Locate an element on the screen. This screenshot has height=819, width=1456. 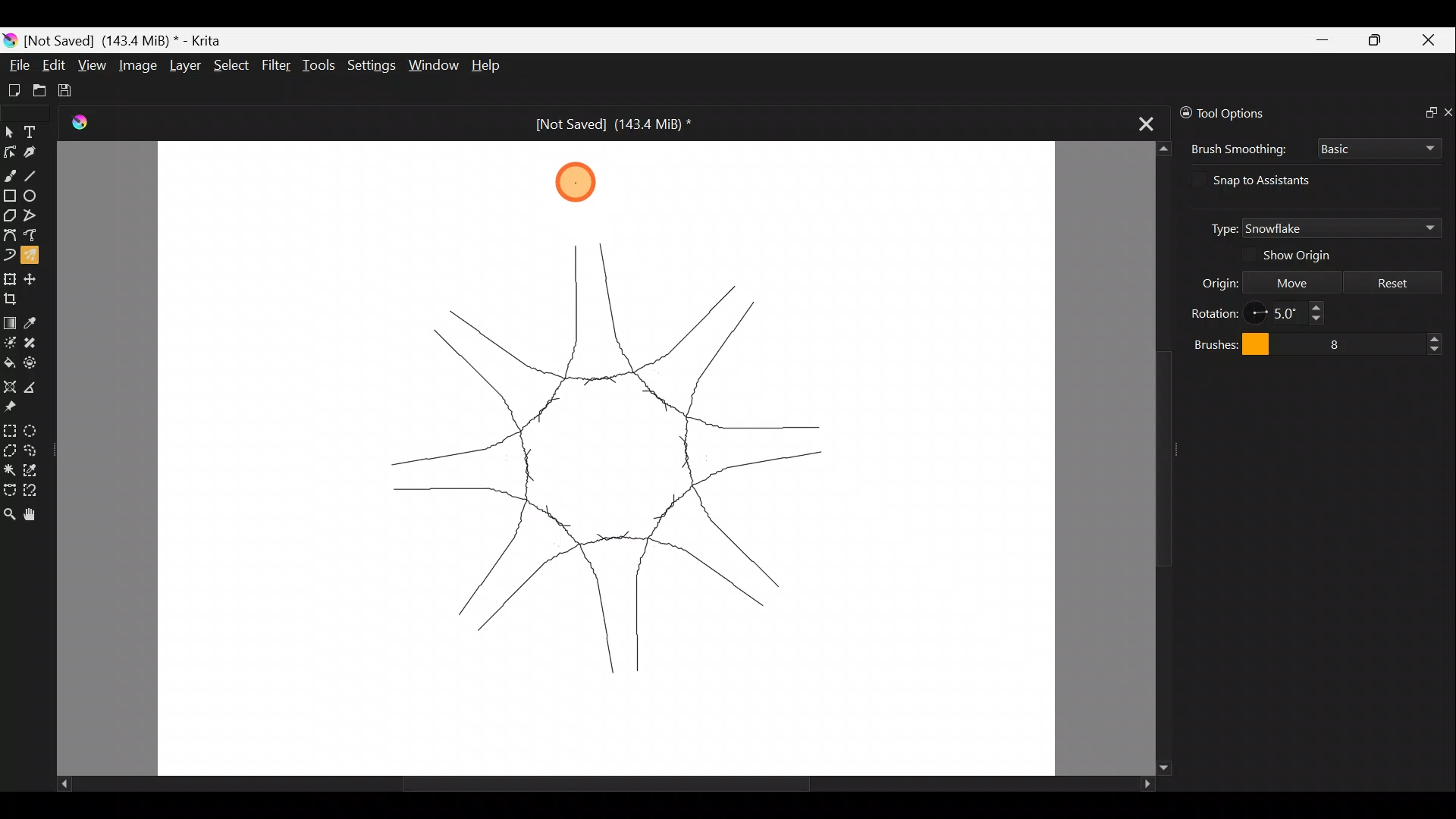
Enclose and fill tool is located at coordinates (33, 363).